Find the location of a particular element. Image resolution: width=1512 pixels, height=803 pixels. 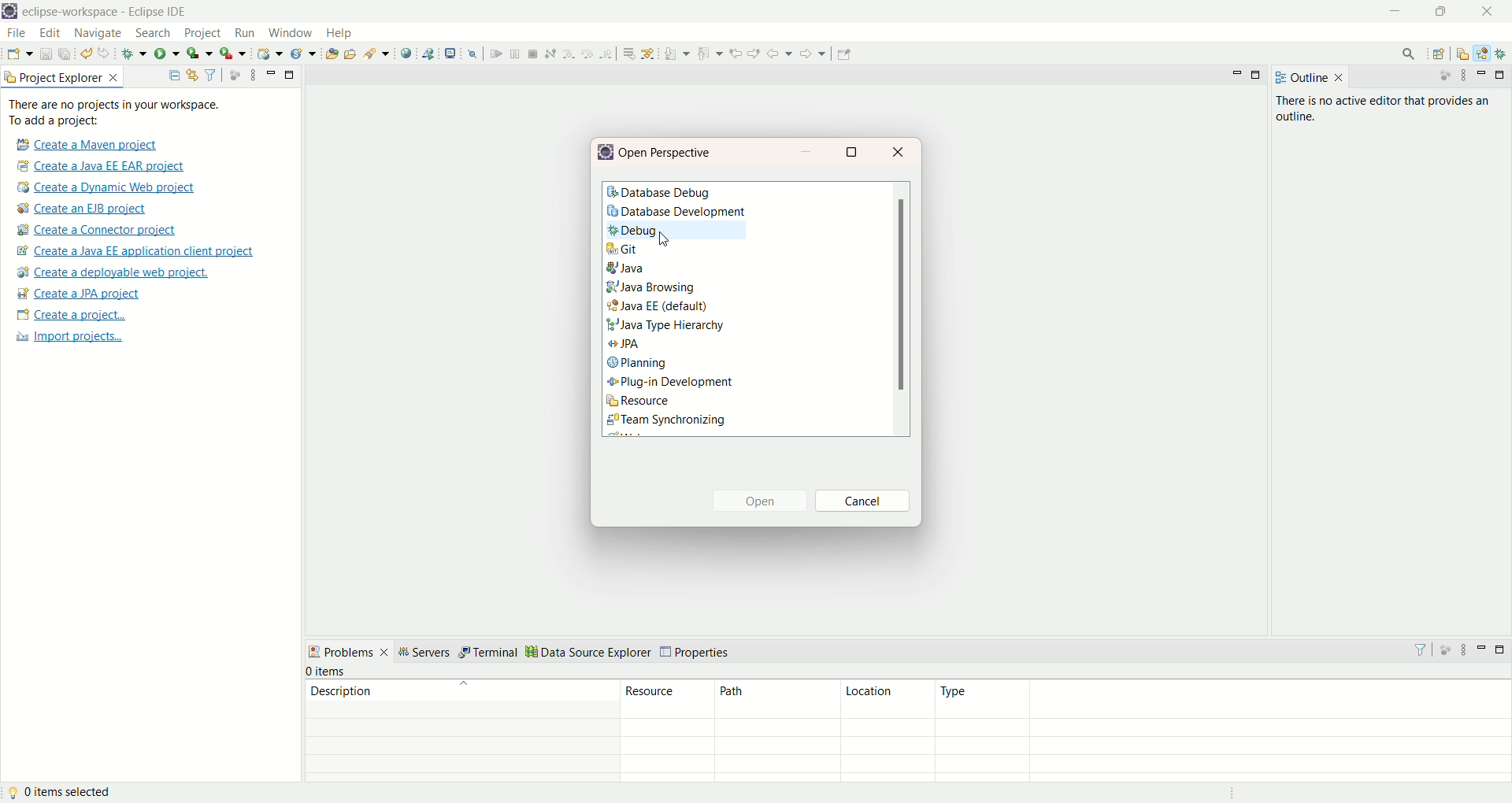

open perspective is located at coordinates (668, 153).